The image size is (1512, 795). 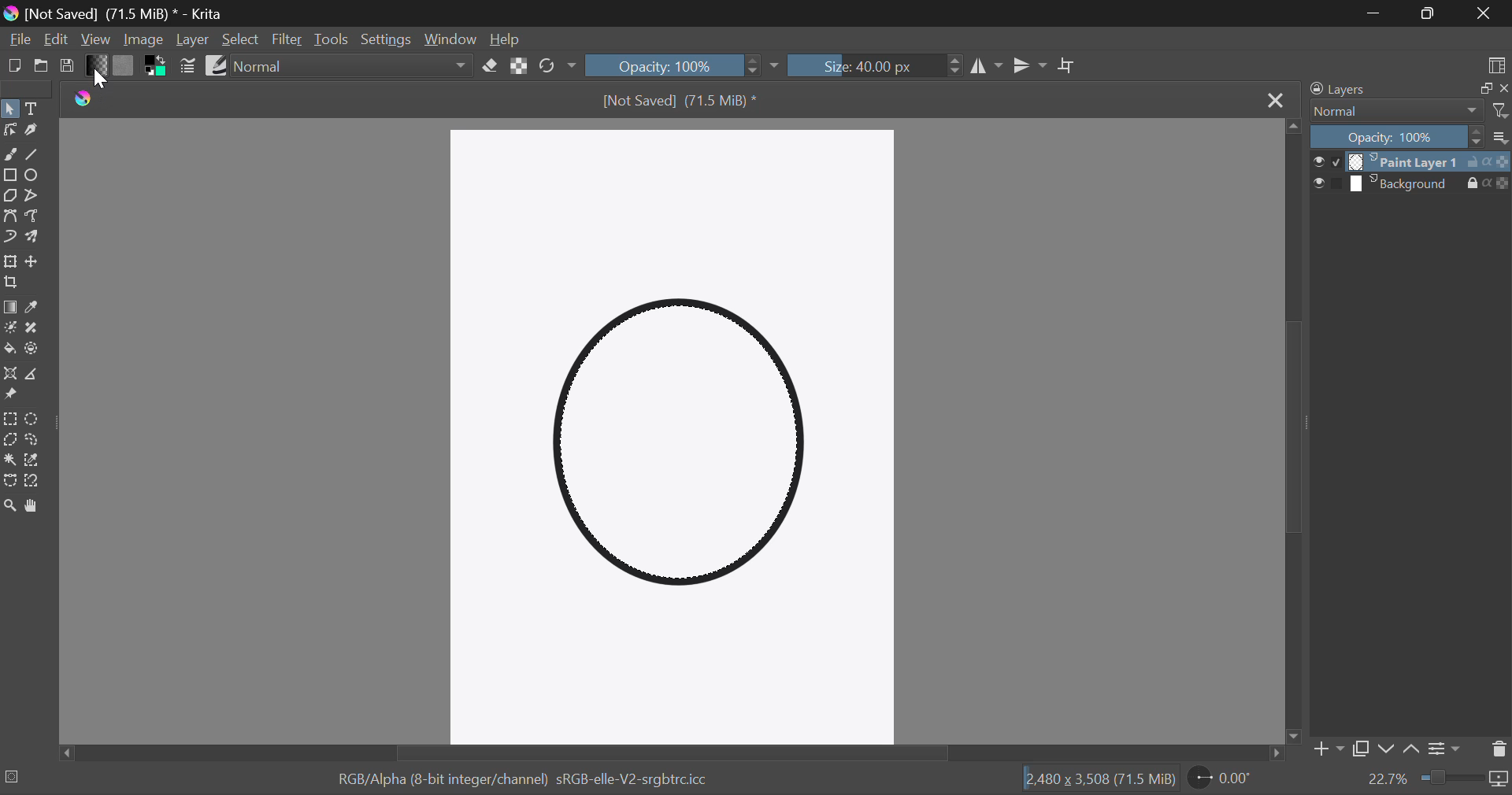 What do you see at coordinates (1405, 184) in the screenshot?
I see `layer 2` at bounding box center [1405, 184].